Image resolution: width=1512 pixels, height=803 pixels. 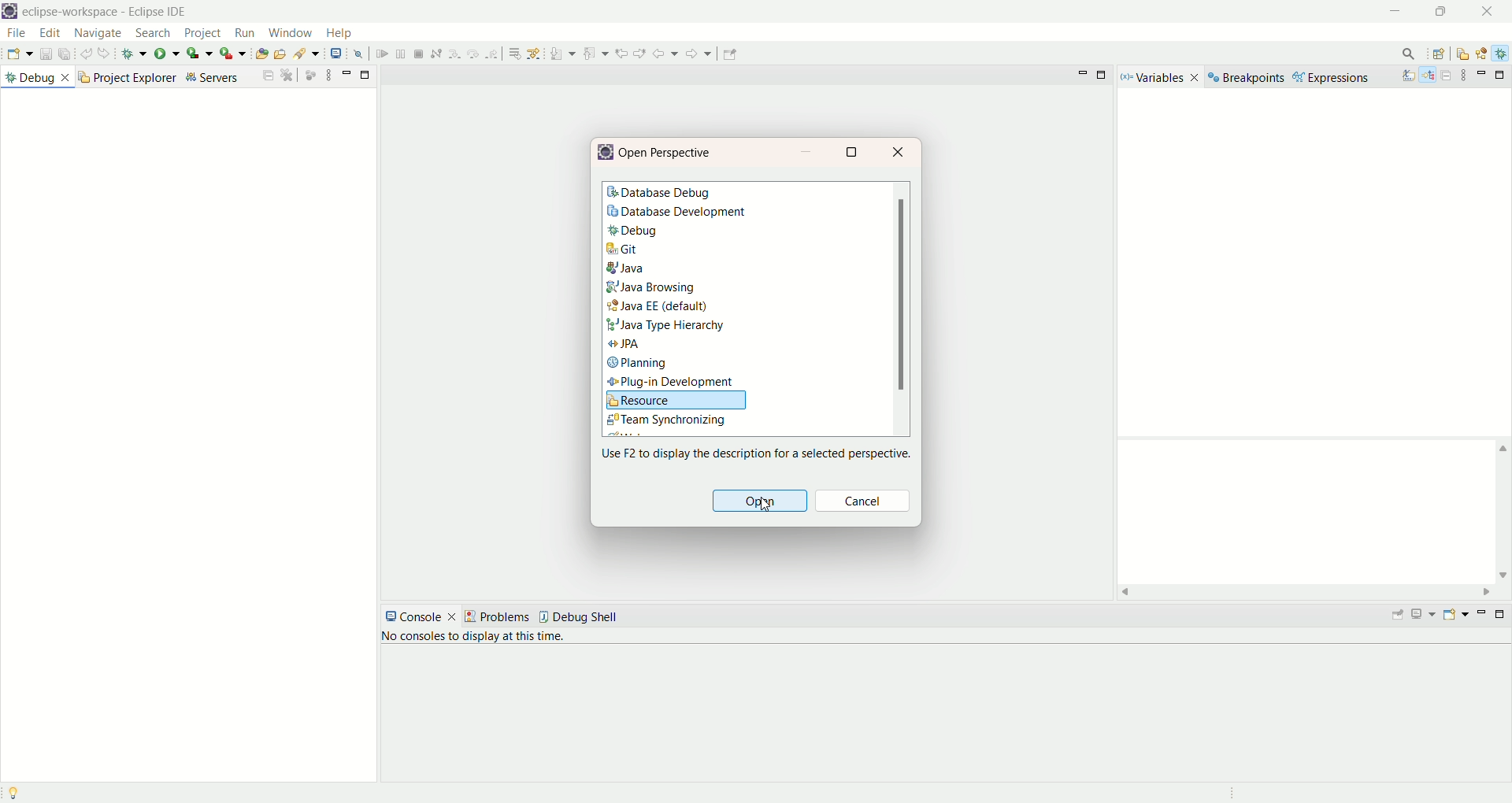 What do you see at coordinates (135, 54) in the screenshot?
I see `debug` at bounding box center [135, 54].